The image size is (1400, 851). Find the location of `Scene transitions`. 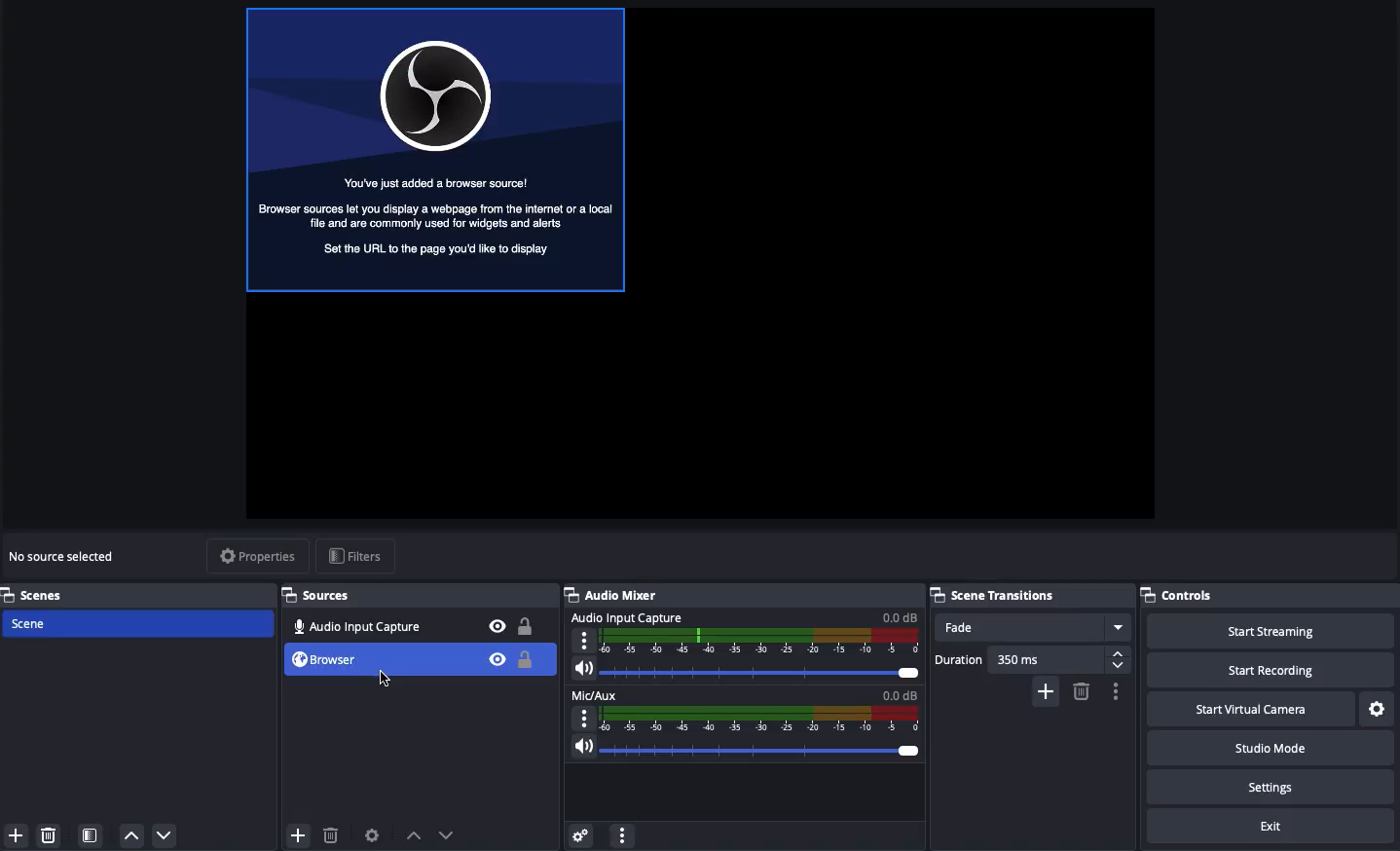

Scene transitions is located at coordinates (1032, 595).